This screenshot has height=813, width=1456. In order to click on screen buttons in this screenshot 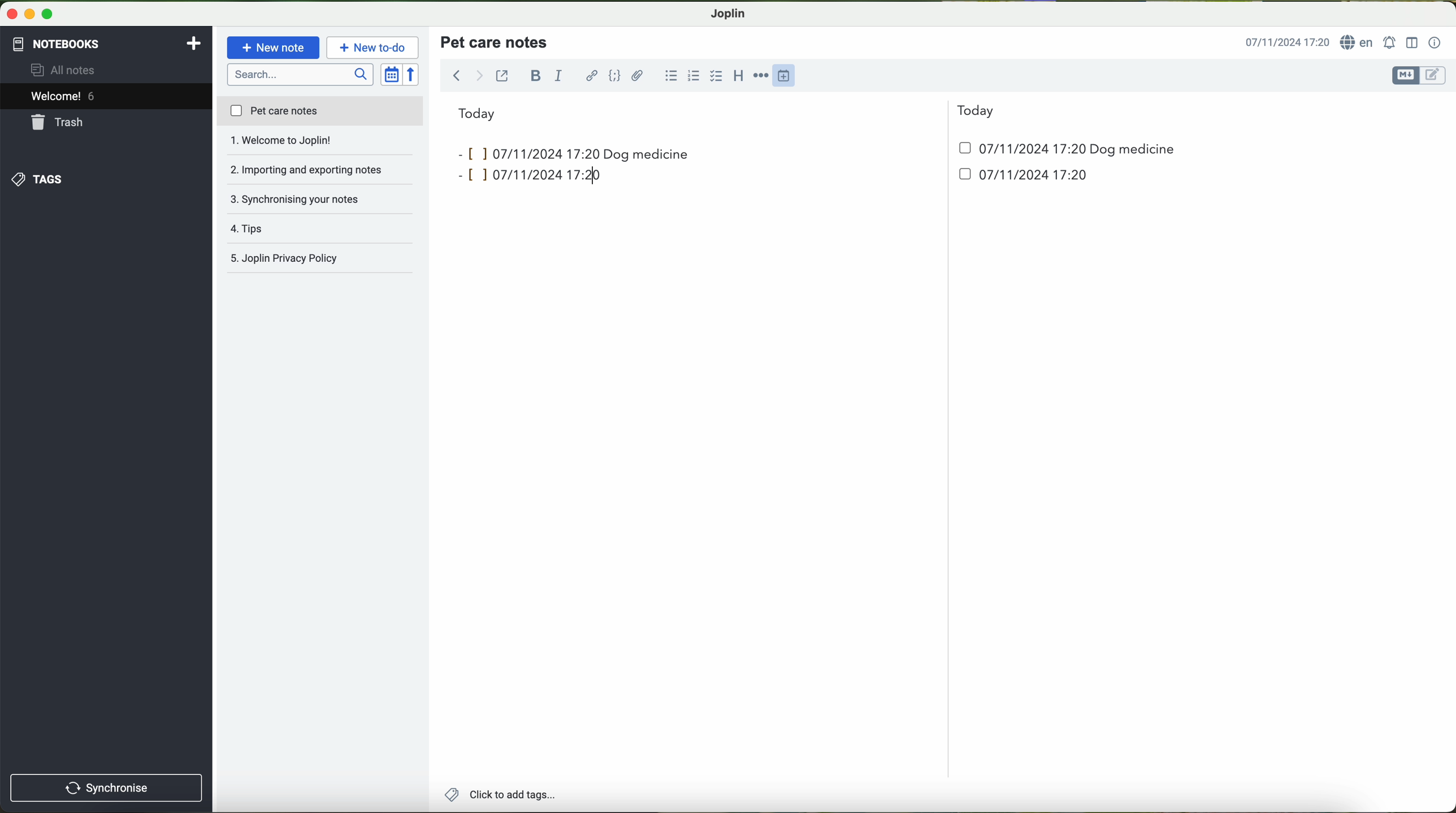, I will do `click(28, 15)`.